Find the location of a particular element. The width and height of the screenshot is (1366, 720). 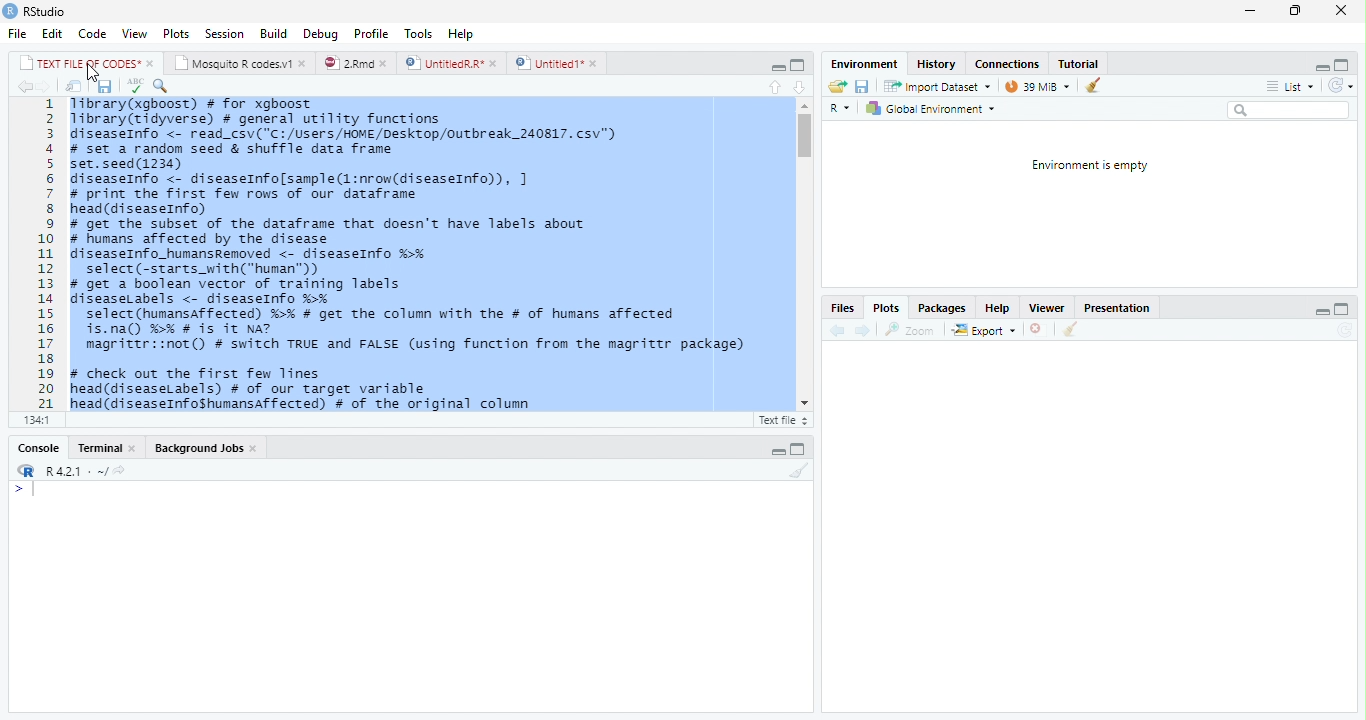

Terminal is located at coordinates (105, 449).